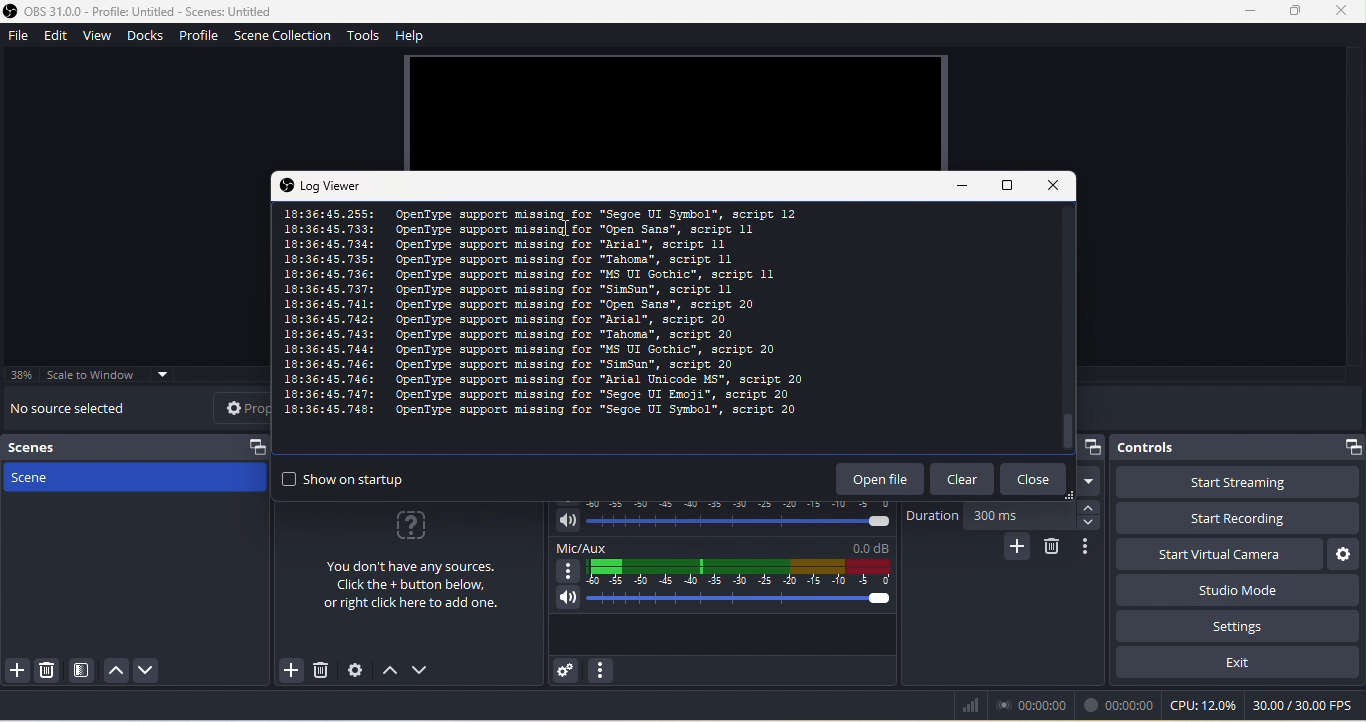 This screenshot has height=722, width=1366. Describe the element at coordinates (1056, 185) in the screenshot. I see `close` at that location.